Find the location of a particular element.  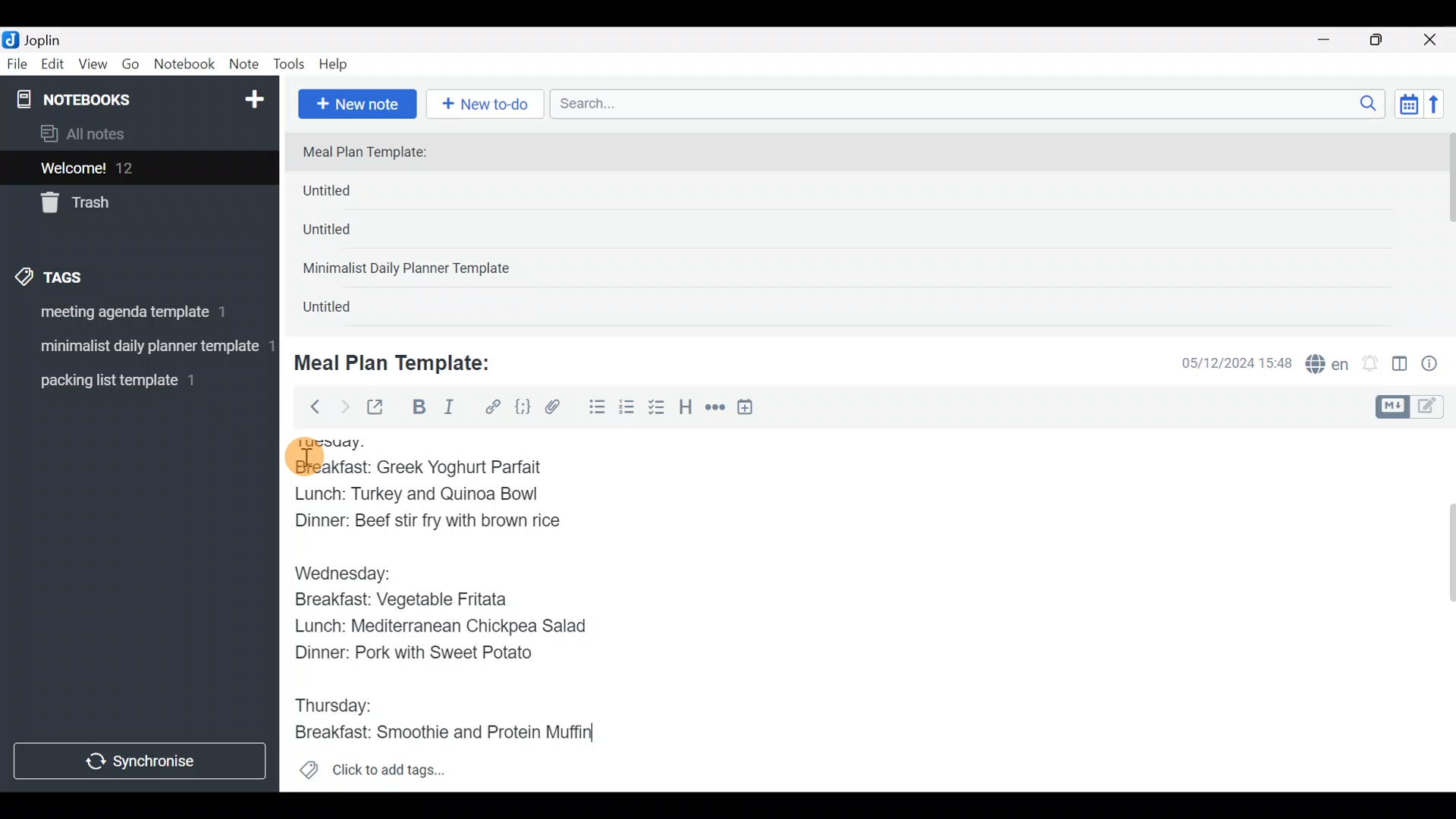

Toggle editors is located at coordinates (1414, 405).